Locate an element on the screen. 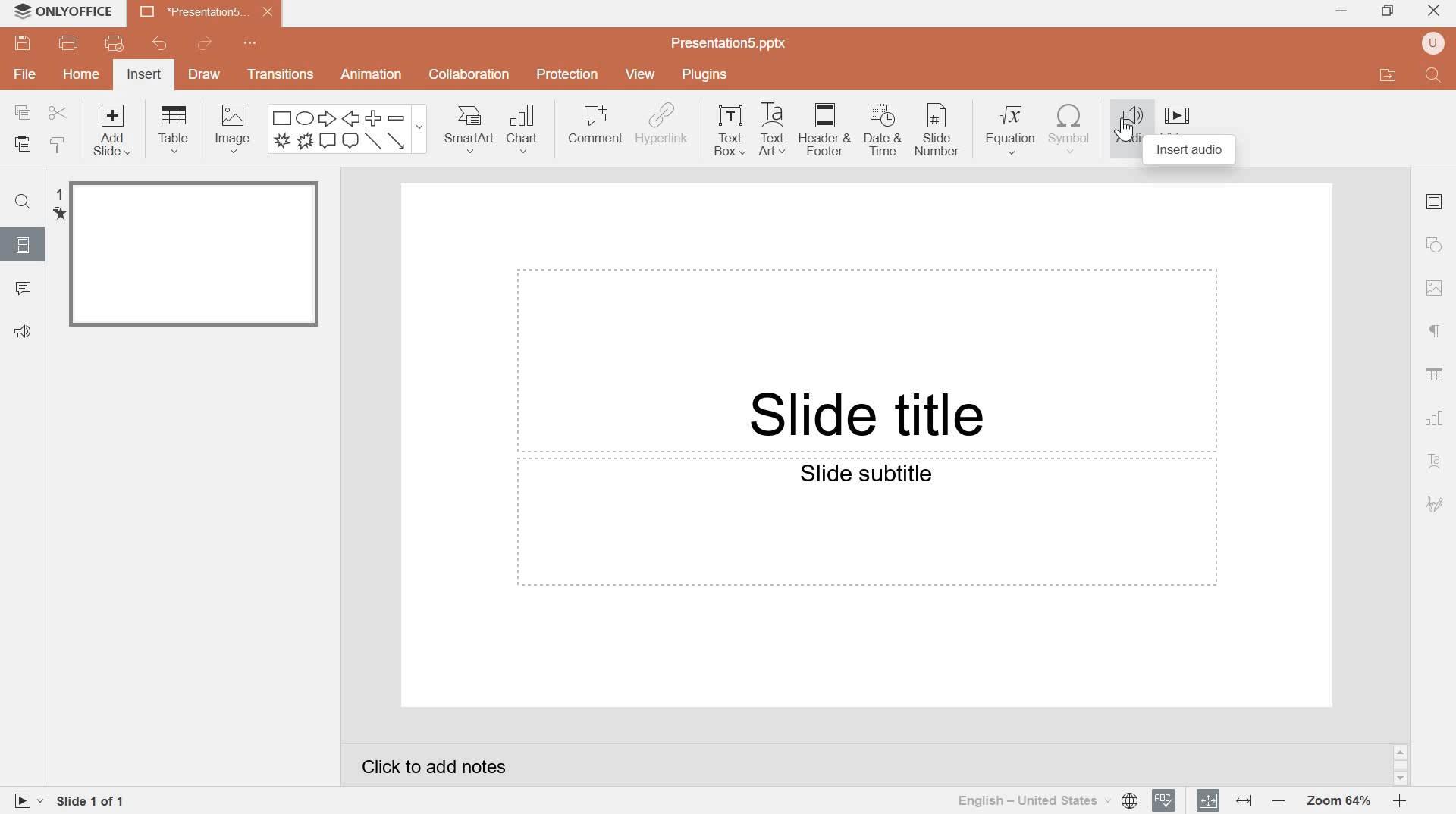 This screenshot has width=1456, height=814. Restore down is located at coordinates (1390, 11).